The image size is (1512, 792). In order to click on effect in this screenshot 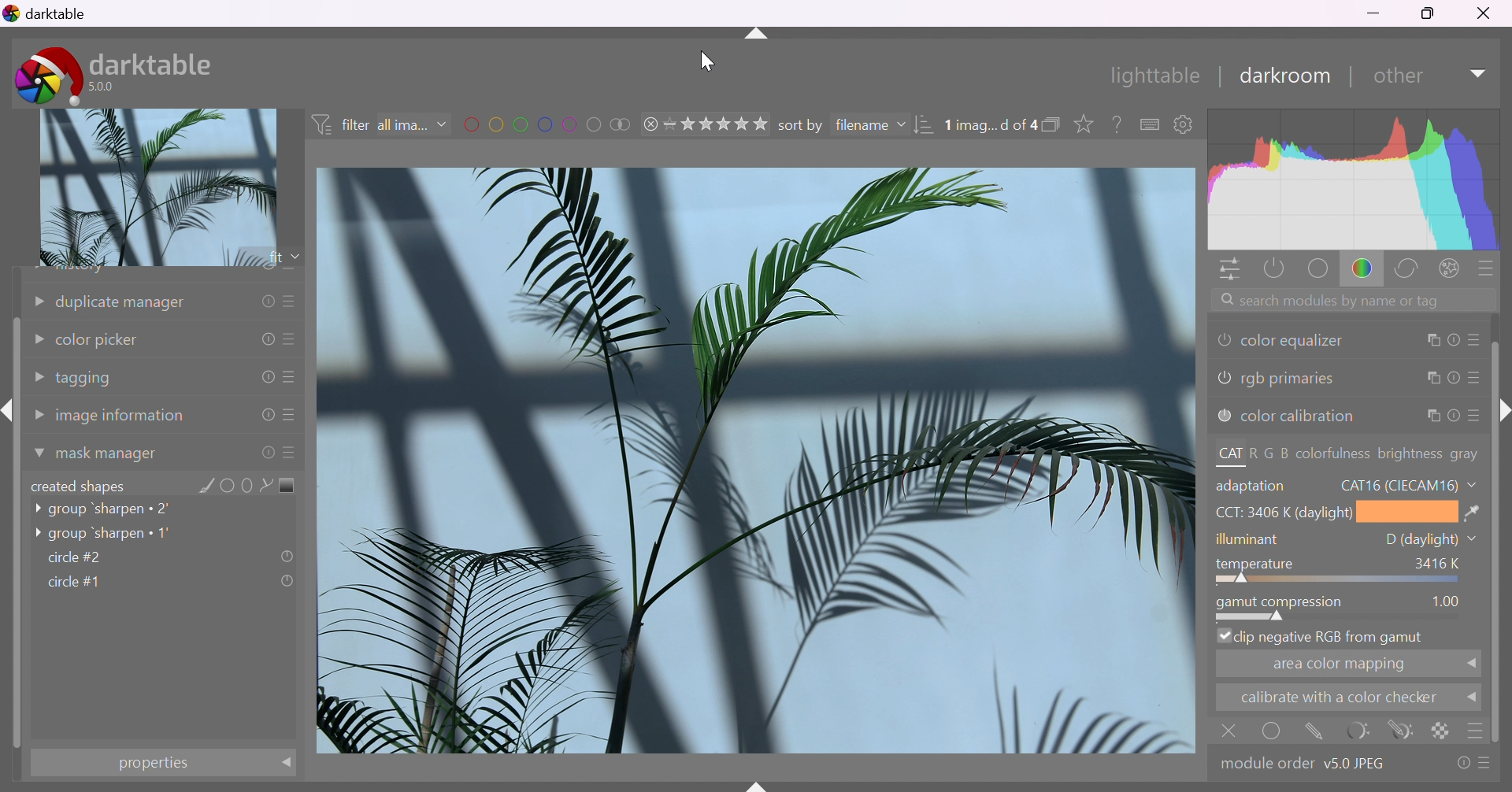, I will do `click(1451, 268)`.